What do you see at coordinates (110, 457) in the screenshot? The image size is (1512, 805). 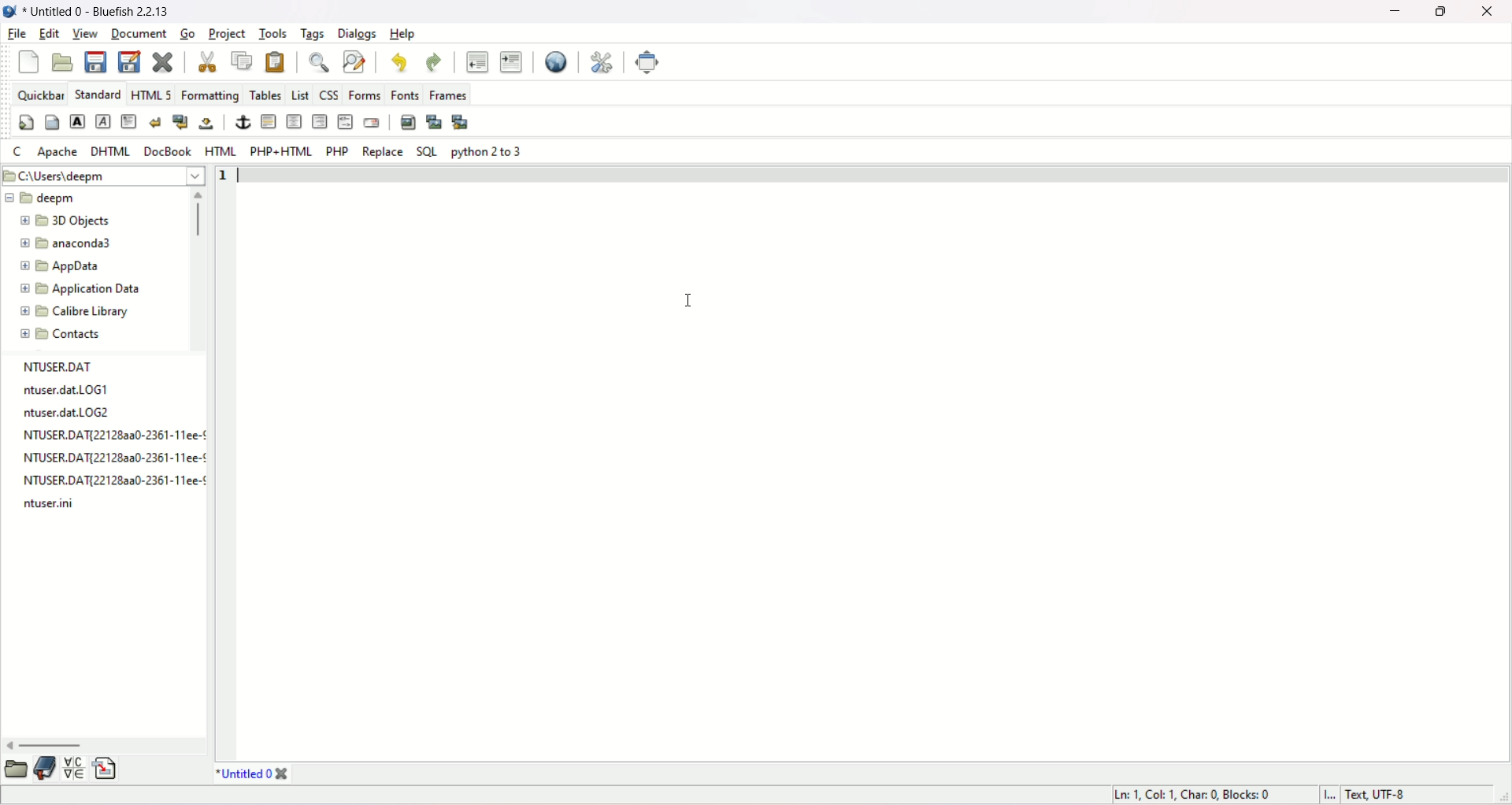 I see `file name` at bounding box center [110, 457].